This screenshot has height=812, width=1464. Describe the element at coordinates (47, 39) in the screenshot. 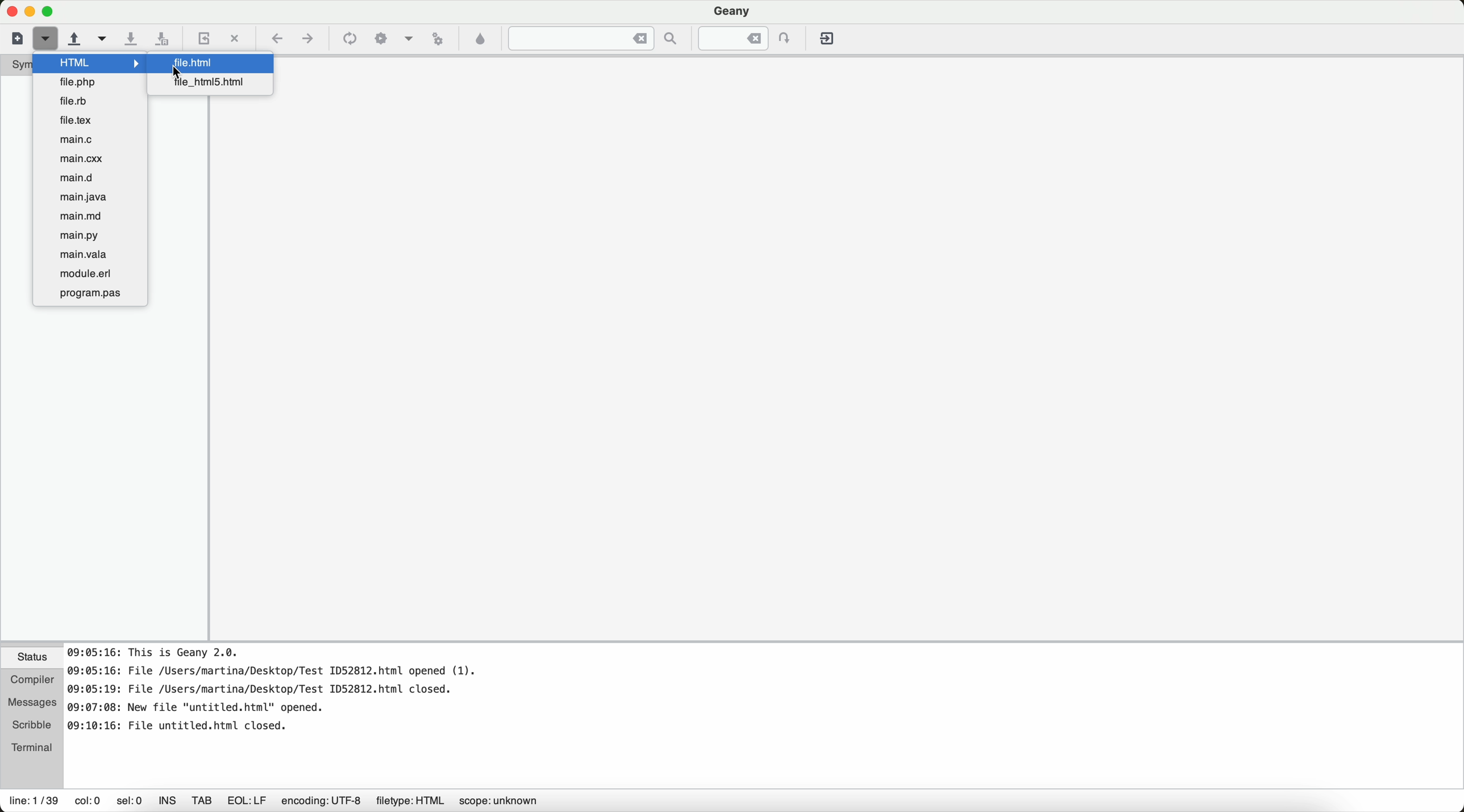

I see `cursor on new file from a template` at that location.